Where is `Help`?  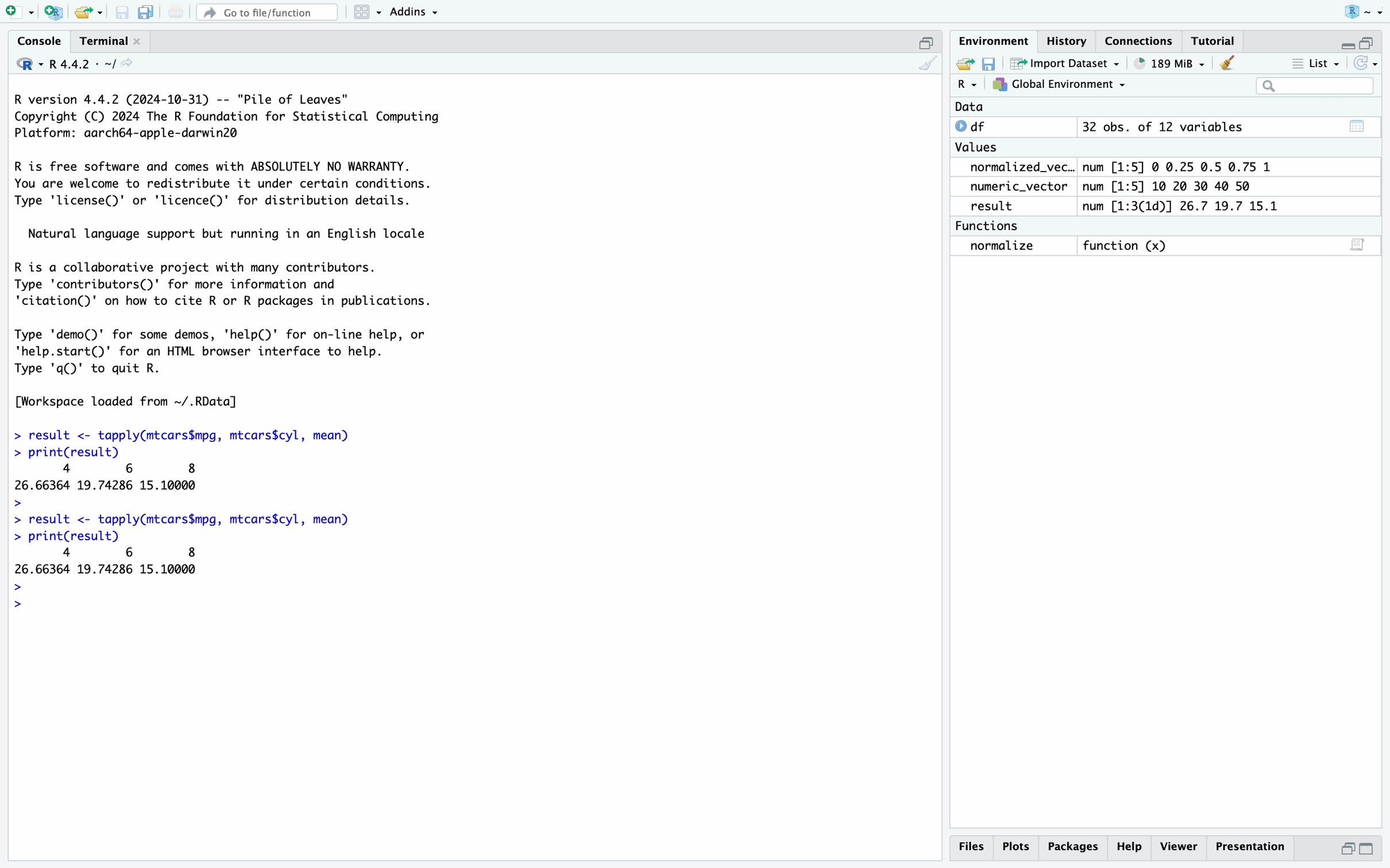 Help is located at coordinates (1130, 847).